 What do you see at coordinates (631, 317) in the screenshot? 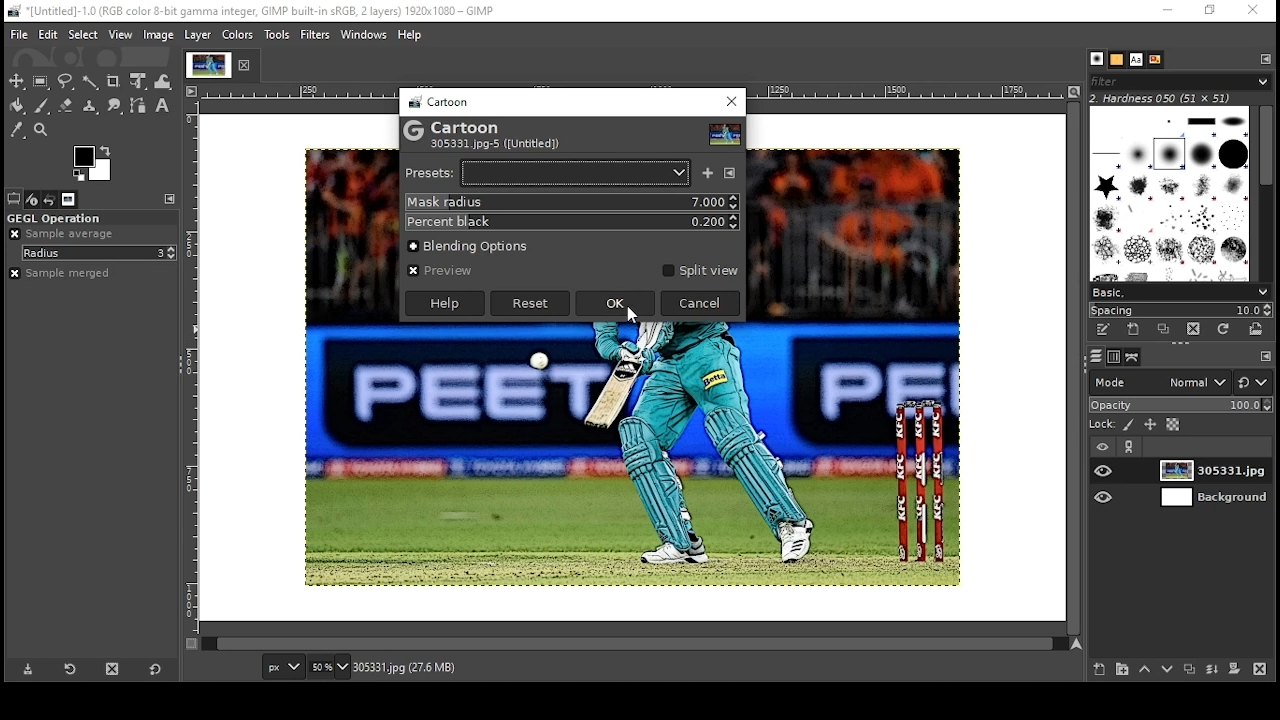
I see `mouse pointer` at bounding box center [631, 317].